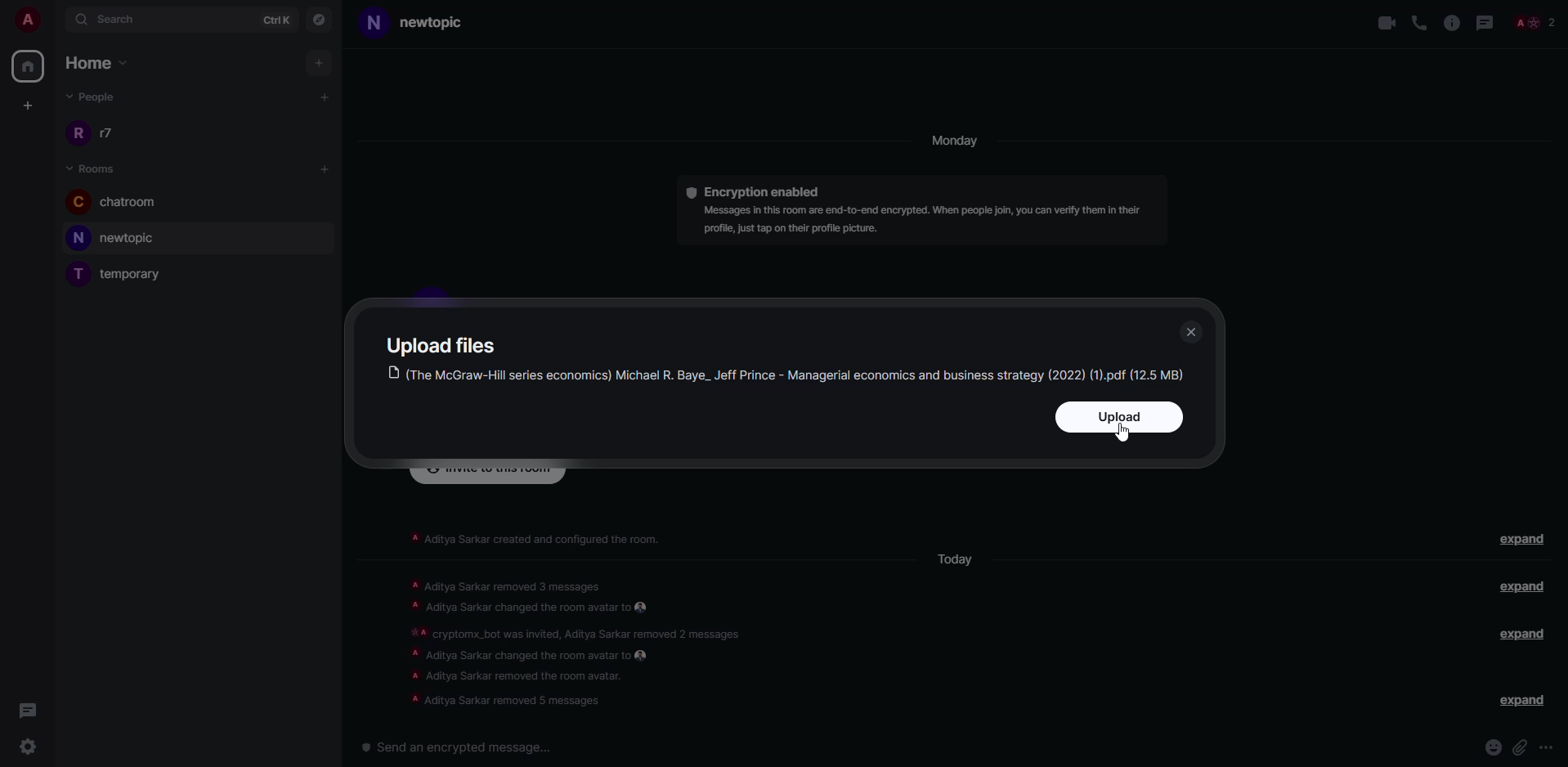 This screenshot has height=767, width=1568. I want to click on people, so click(102, 135).